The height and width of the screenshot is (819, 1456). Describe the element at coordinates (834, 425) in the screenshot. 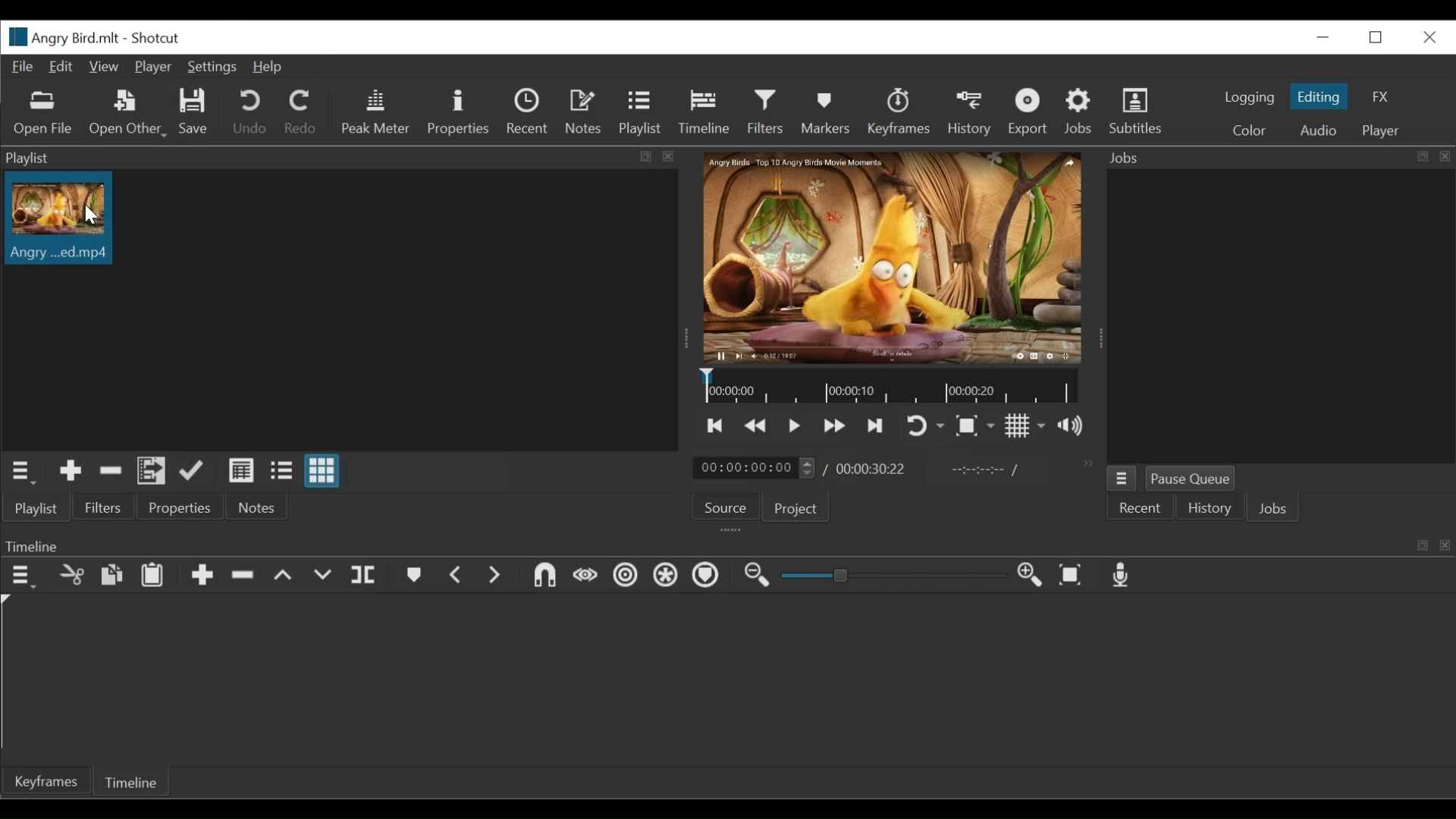

I see `Play forward quickly` at that location.